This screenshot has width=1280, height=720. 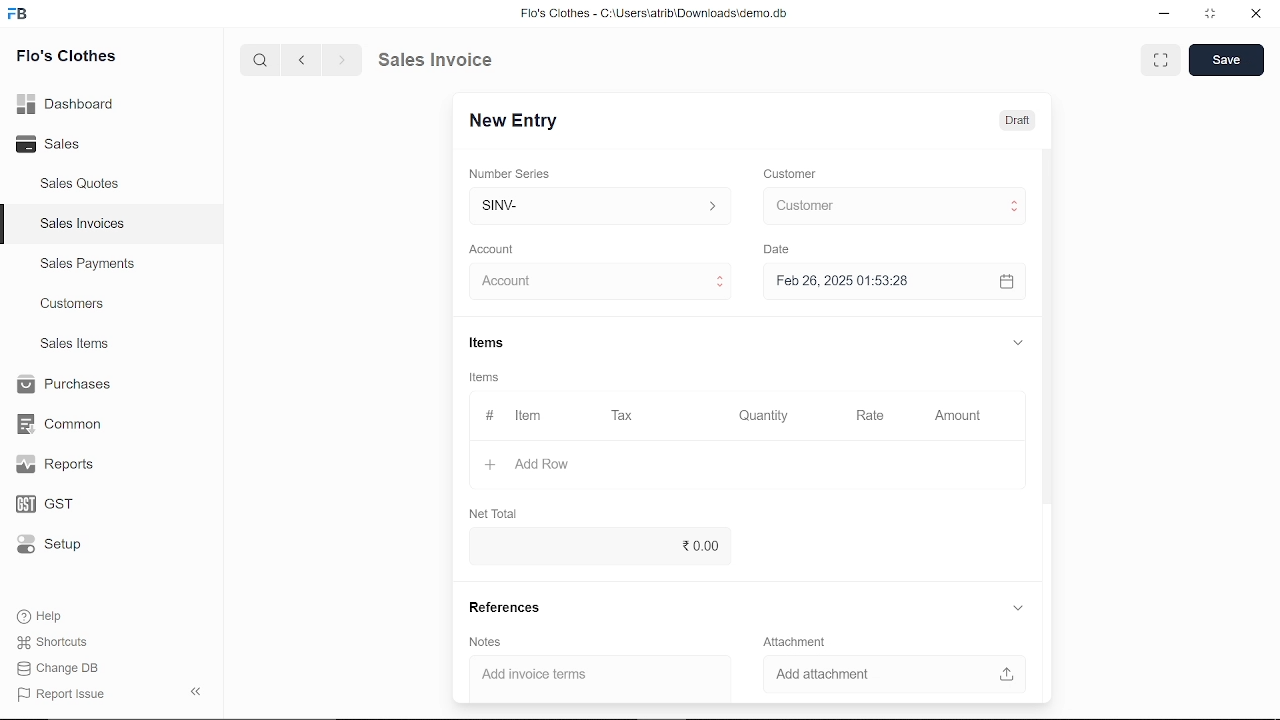 What do you see at coordinates (483, 642) in the screenshot?
I see `Notes` at bounding box center [483, 642].